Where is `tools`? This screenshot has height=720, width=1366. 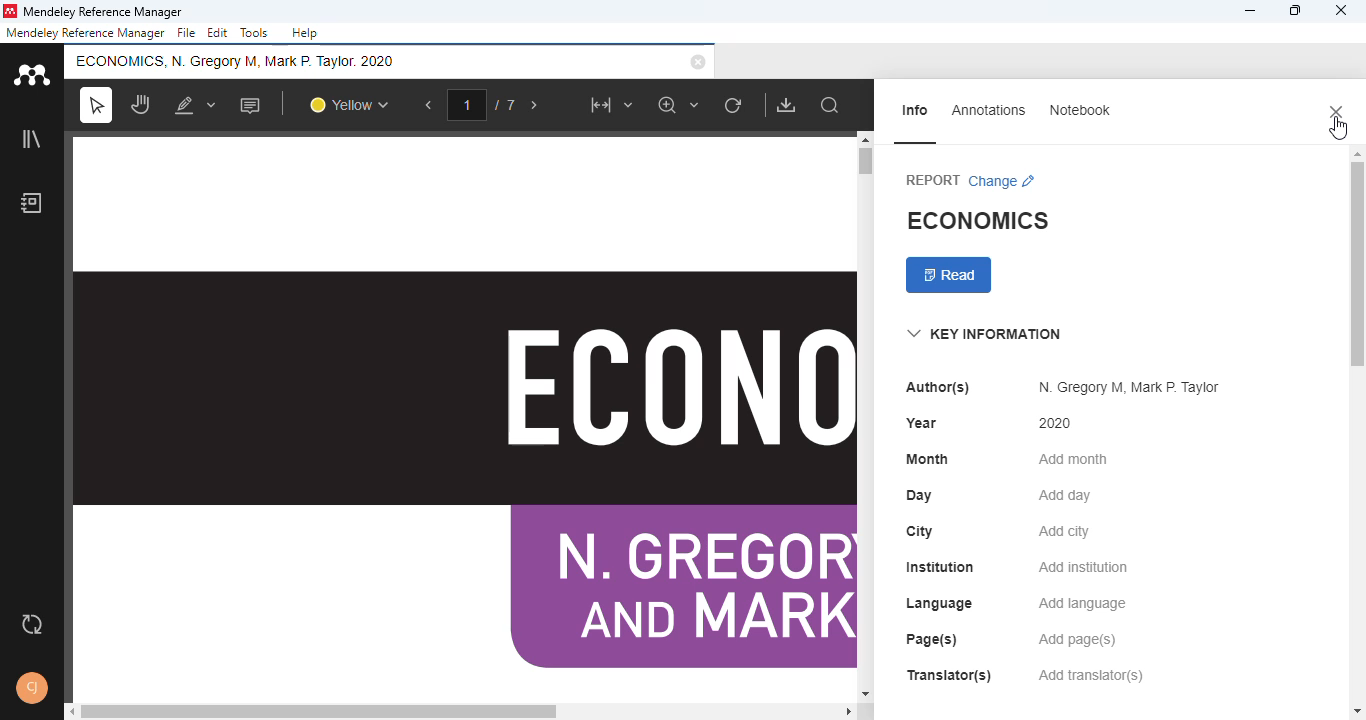 tools is located at coordinates (255, 32).